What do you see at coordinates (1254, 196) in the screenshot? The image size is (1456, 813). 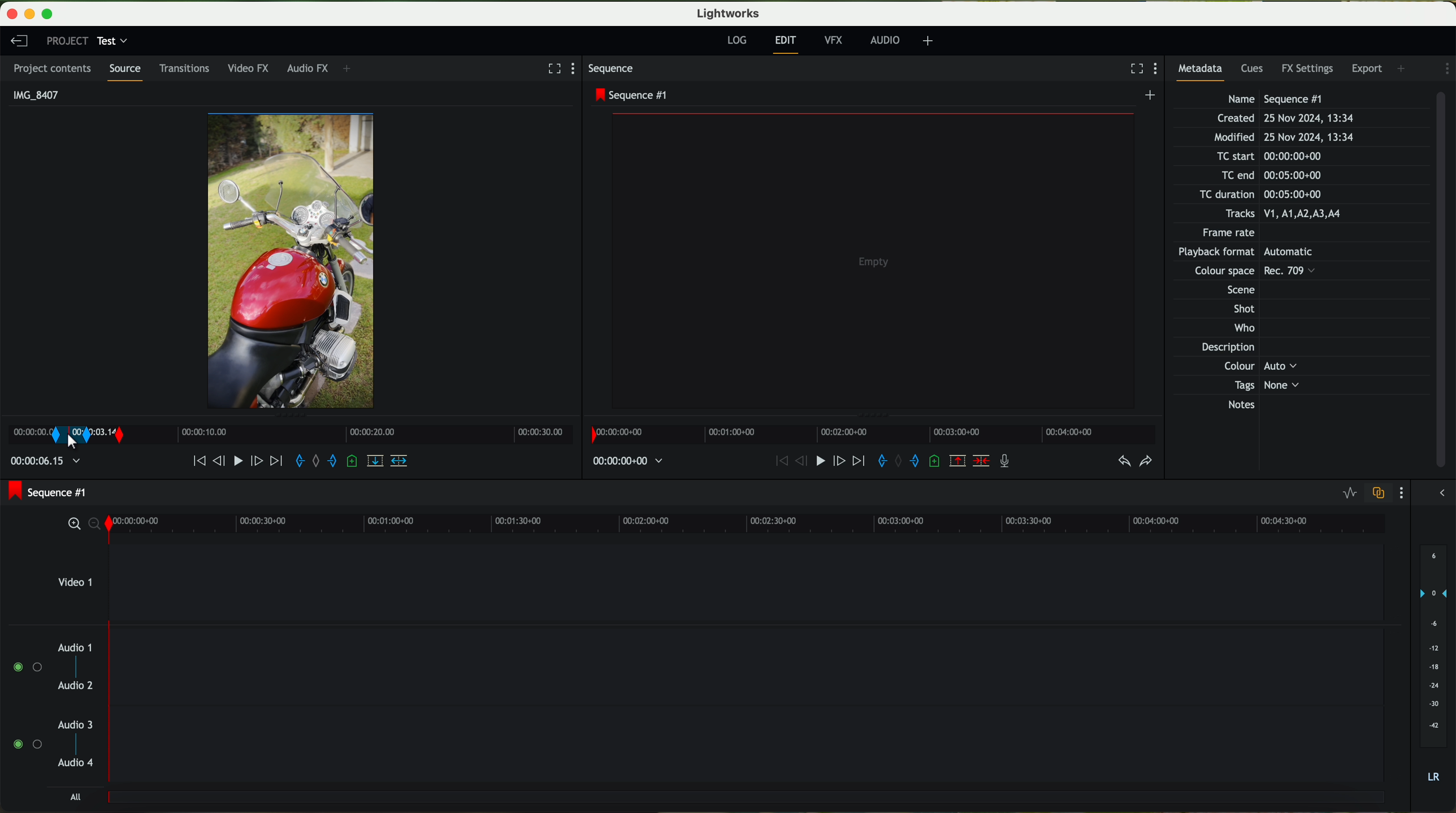 I see `TC duration` at bounding box center [1254, 196].